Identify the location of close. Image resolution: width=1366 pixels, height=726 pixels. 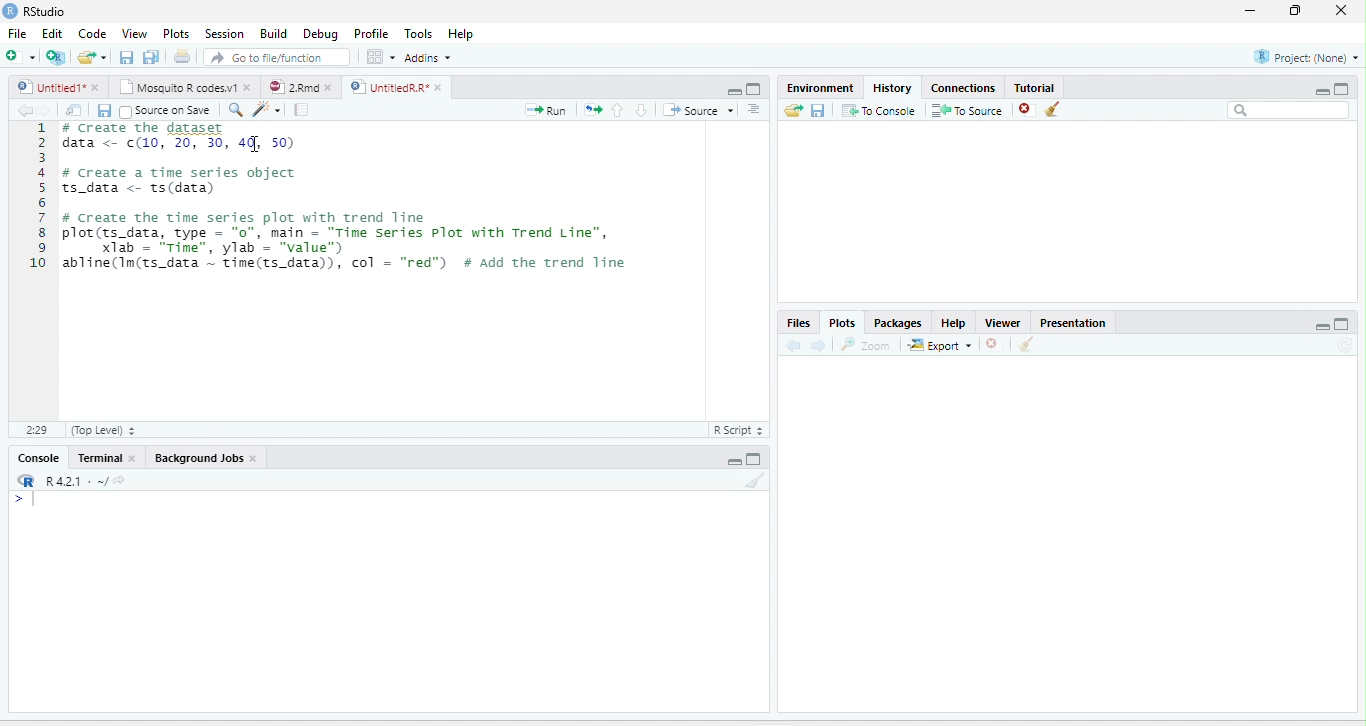
(131, 458).